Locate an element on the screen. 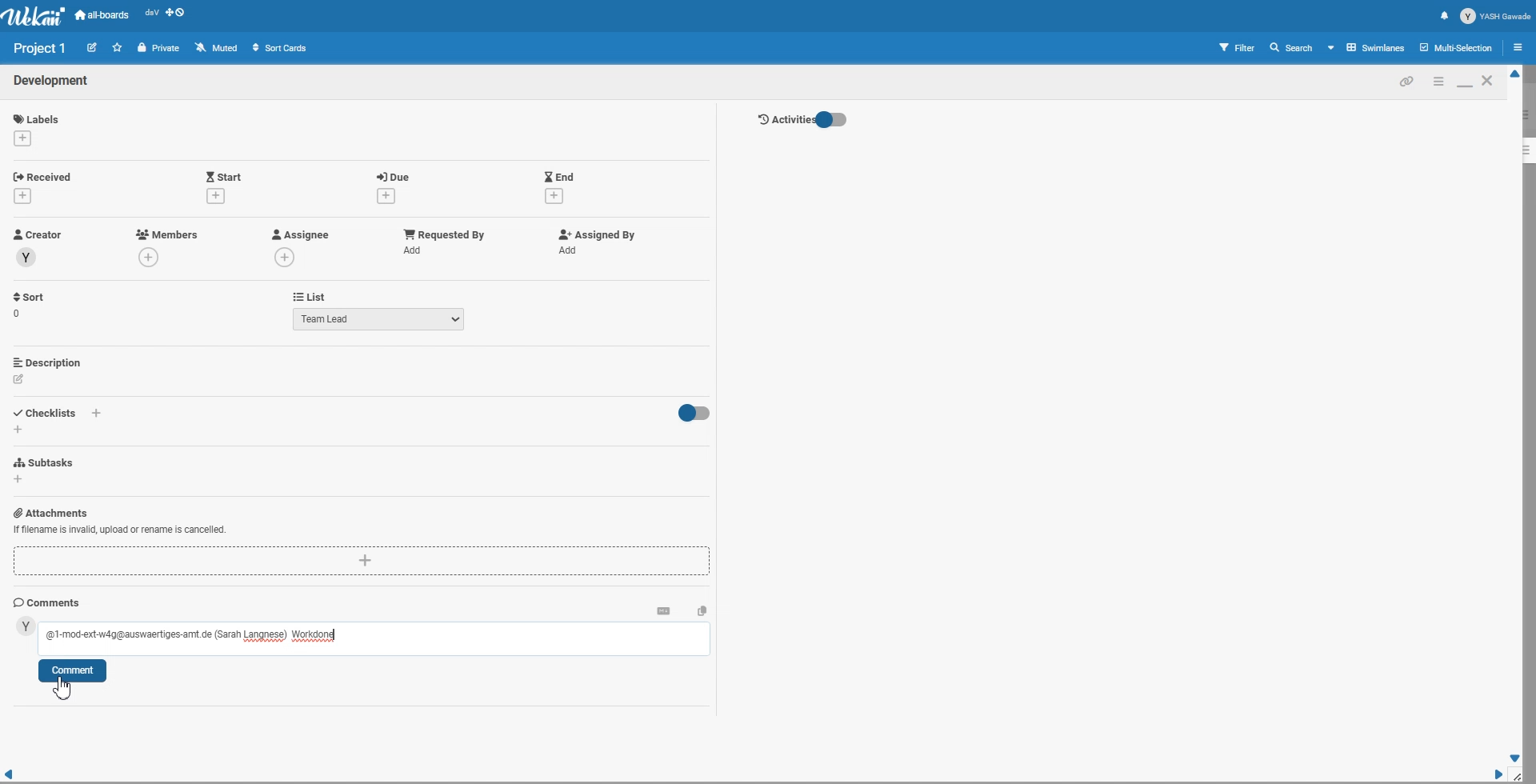 This screenshot has height=784, width=1536. Convert to markdown is located at coordinates (663, 610).